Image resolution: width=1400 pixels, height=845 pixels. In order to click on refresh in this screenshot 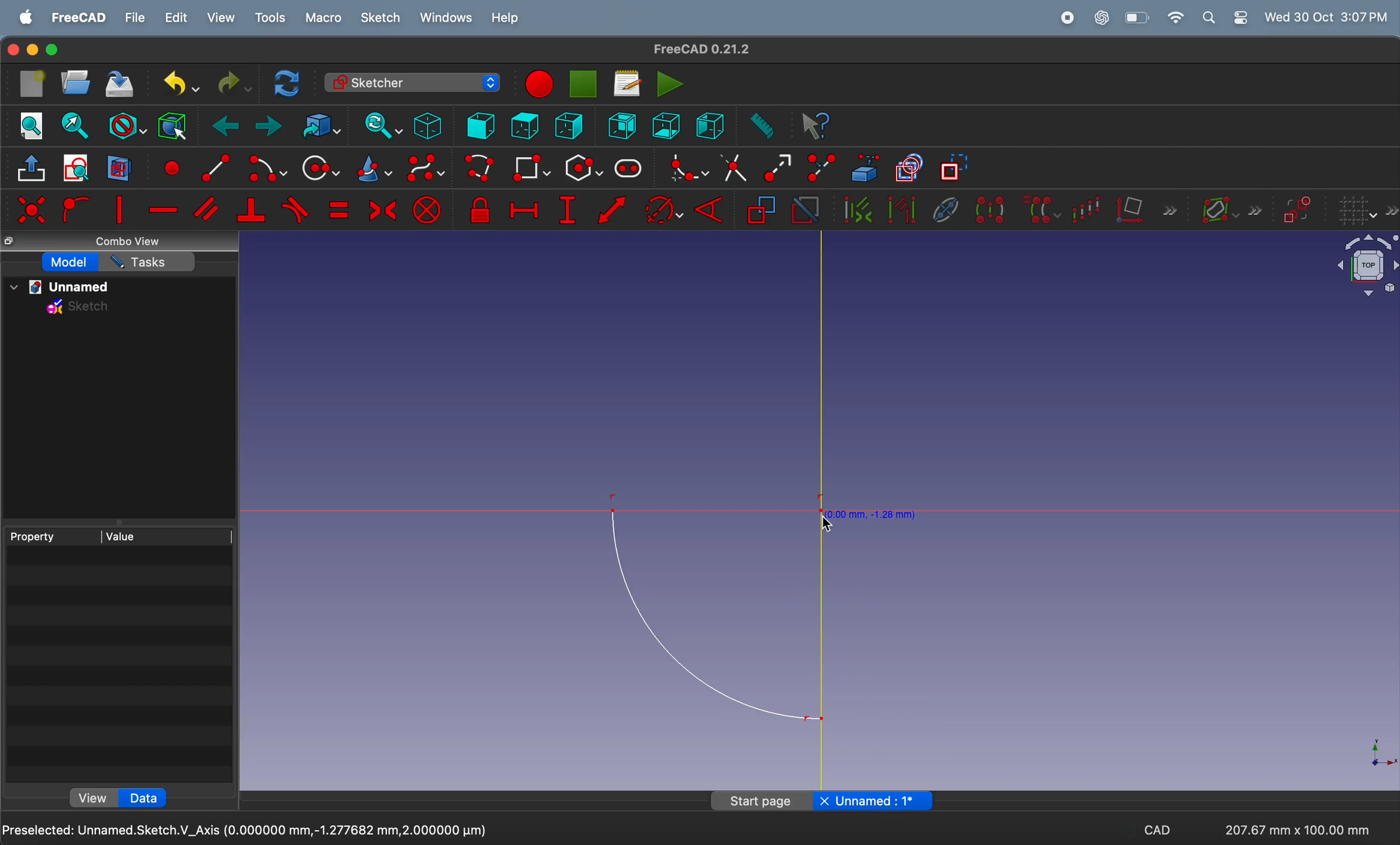, I will do `click(289, 82)`.